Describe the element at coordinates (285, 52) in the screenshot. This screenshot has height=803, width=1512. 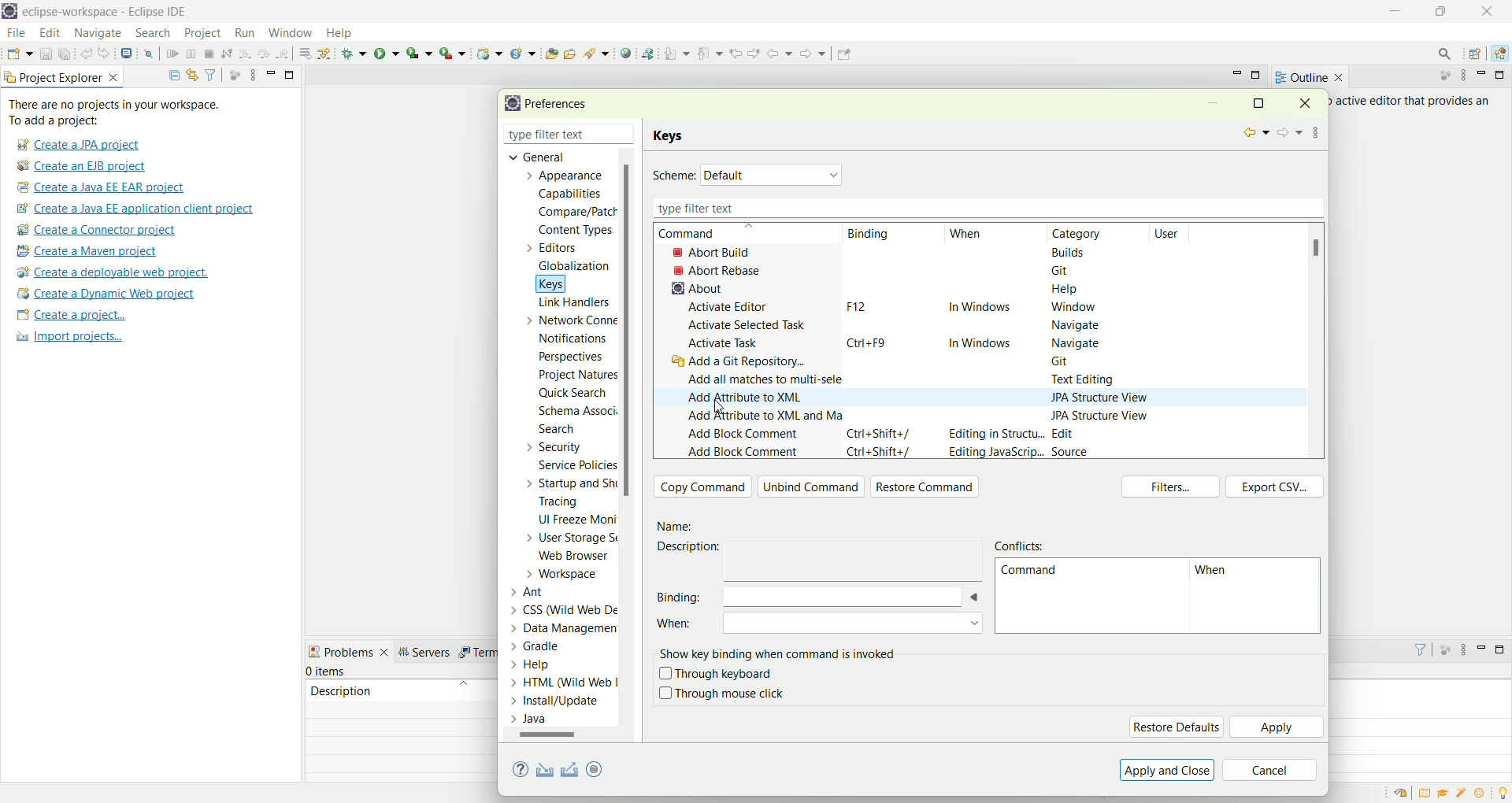
I see `step return` at that location.